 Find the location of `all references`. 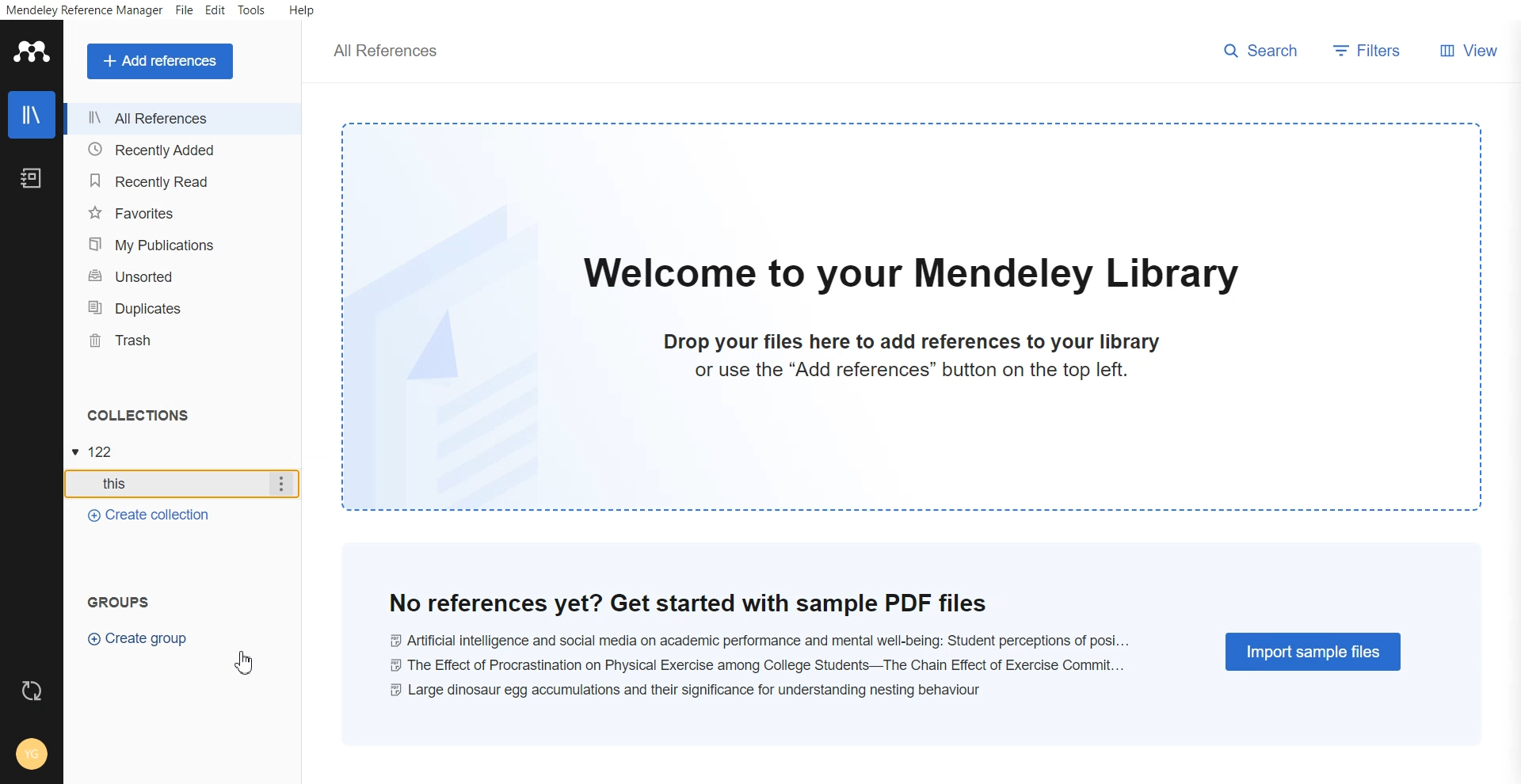

all references is located at coordinates (380, 51).